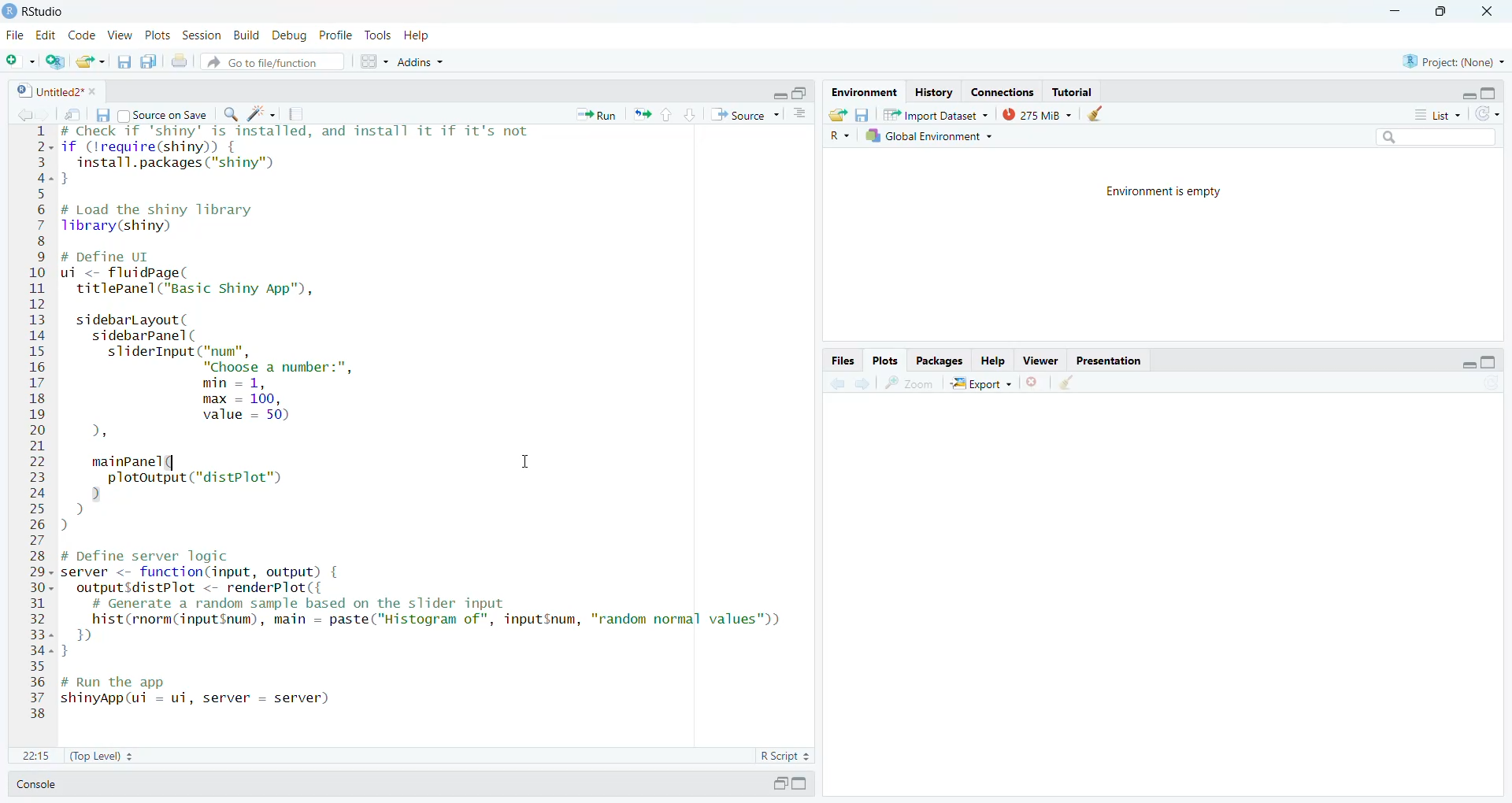  What do you see at coordinates (201, 692) in the screenshot?
I see `# Run the app
shinyApp(ui = ui, server = server)` at bounding box center [201, 692].